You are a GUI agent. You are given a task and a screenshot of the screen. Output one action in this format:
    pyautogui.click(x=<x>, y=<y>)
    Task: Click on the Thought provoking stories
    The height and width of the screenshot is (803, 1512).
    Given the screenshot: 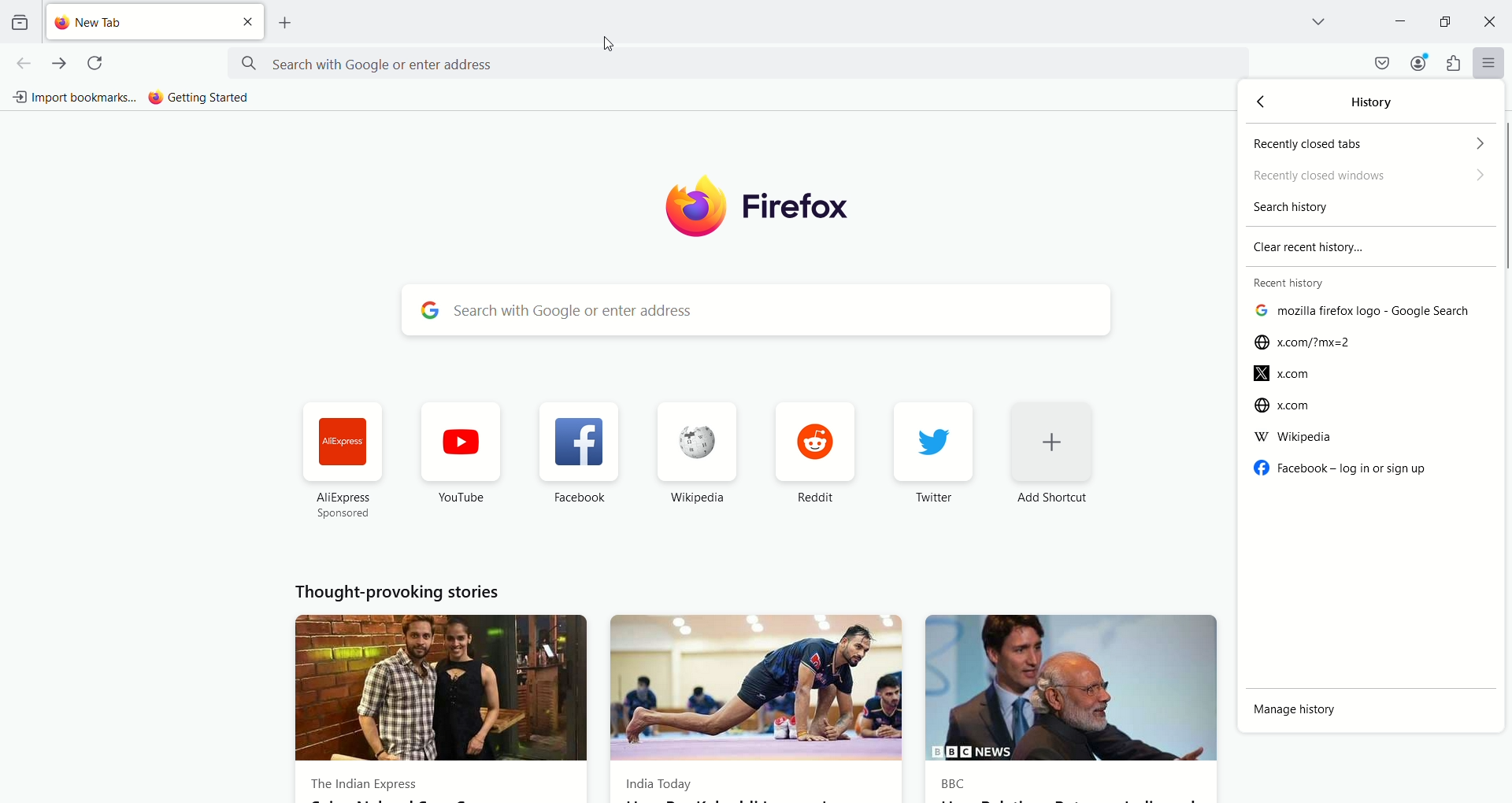 What is the action you would take?
    pyautogui.click(x=401, y=594)
    